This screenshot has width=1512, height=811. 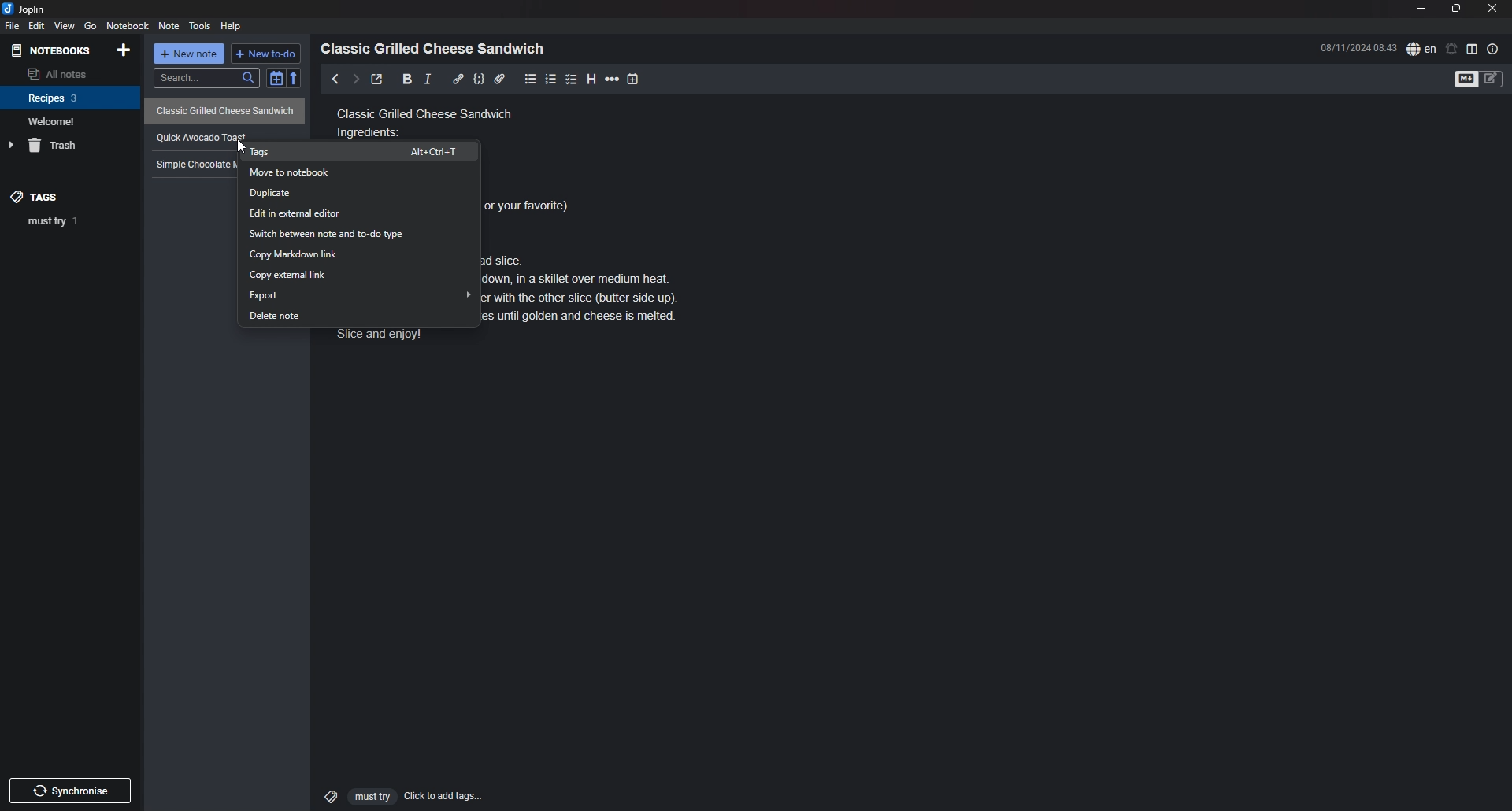 What do you see at coordinates (276, 80) in the screenshot?
I see `toggle sort order` at bounding box center [276, 80].